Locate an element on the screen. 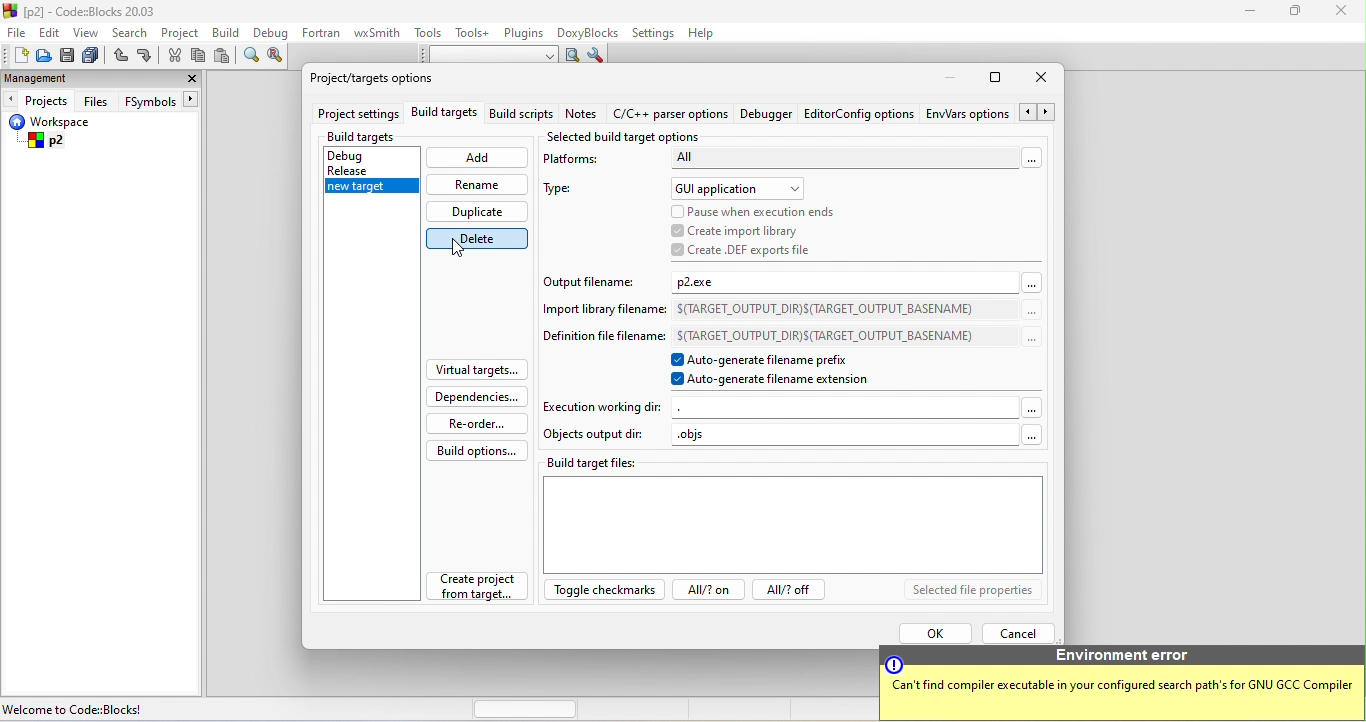  debug is located at coordinates (272, 35).